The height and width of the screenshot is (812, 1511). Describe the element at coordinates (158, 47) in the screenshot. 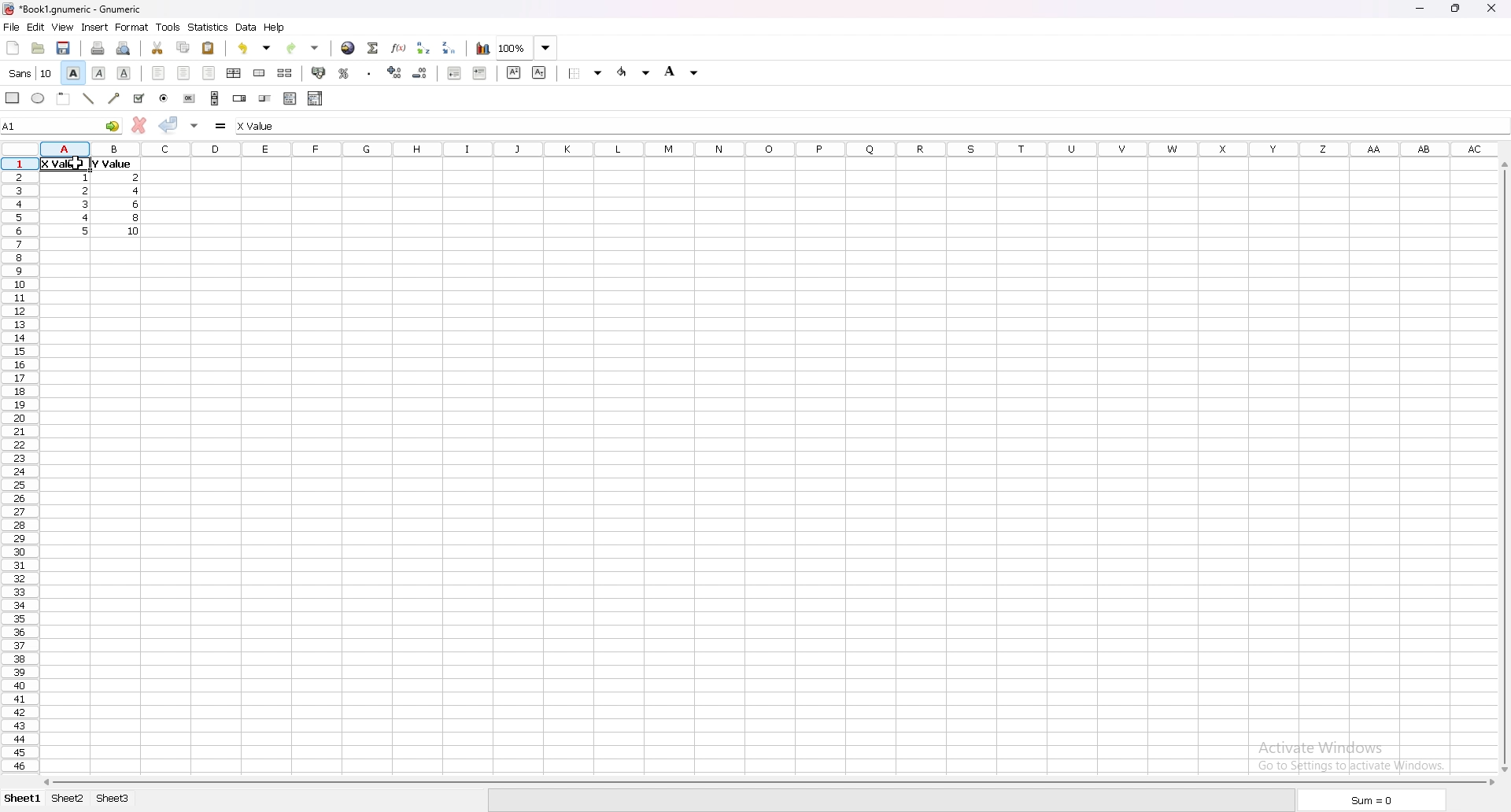

I see `cut` at that location.